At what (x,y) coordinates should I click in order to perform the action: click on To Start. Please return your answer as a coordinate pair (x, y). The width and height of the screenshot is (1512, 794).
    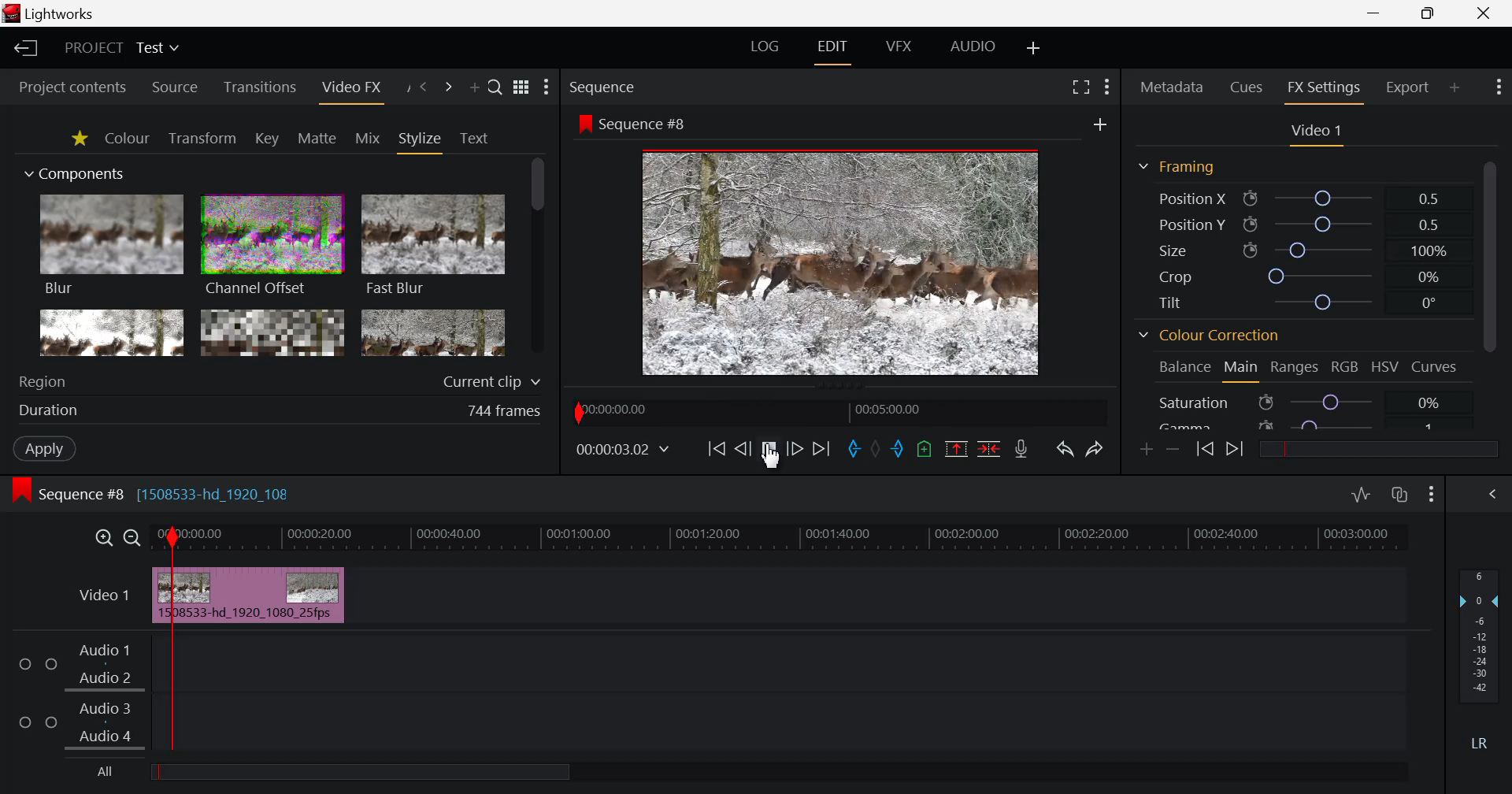
    Looking at the image, I should click on (717, 449).